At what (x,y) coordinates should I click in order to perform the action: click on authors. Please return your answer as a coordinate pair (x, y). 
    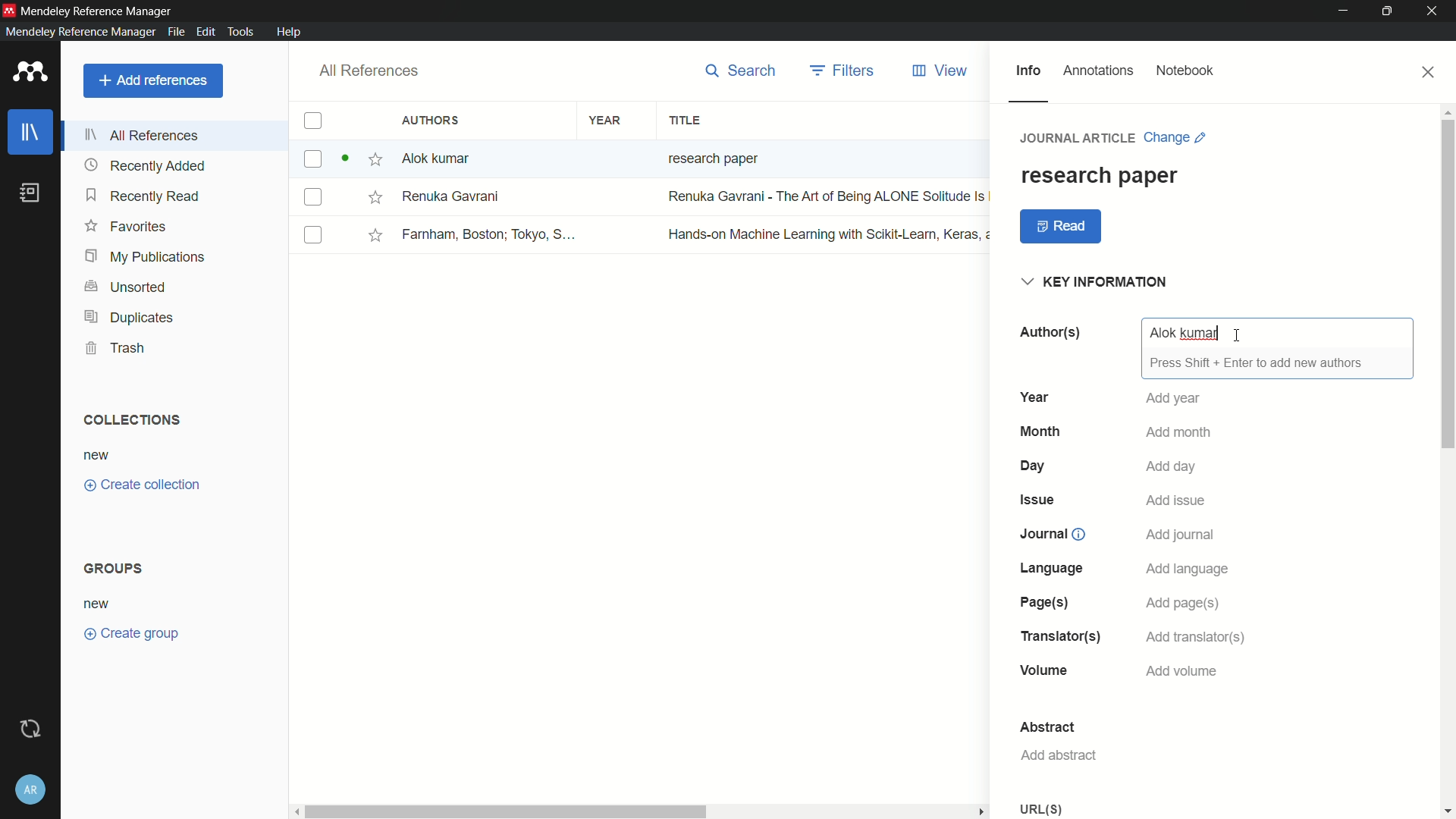
    Looking at the image, I should click on (1049, 332).